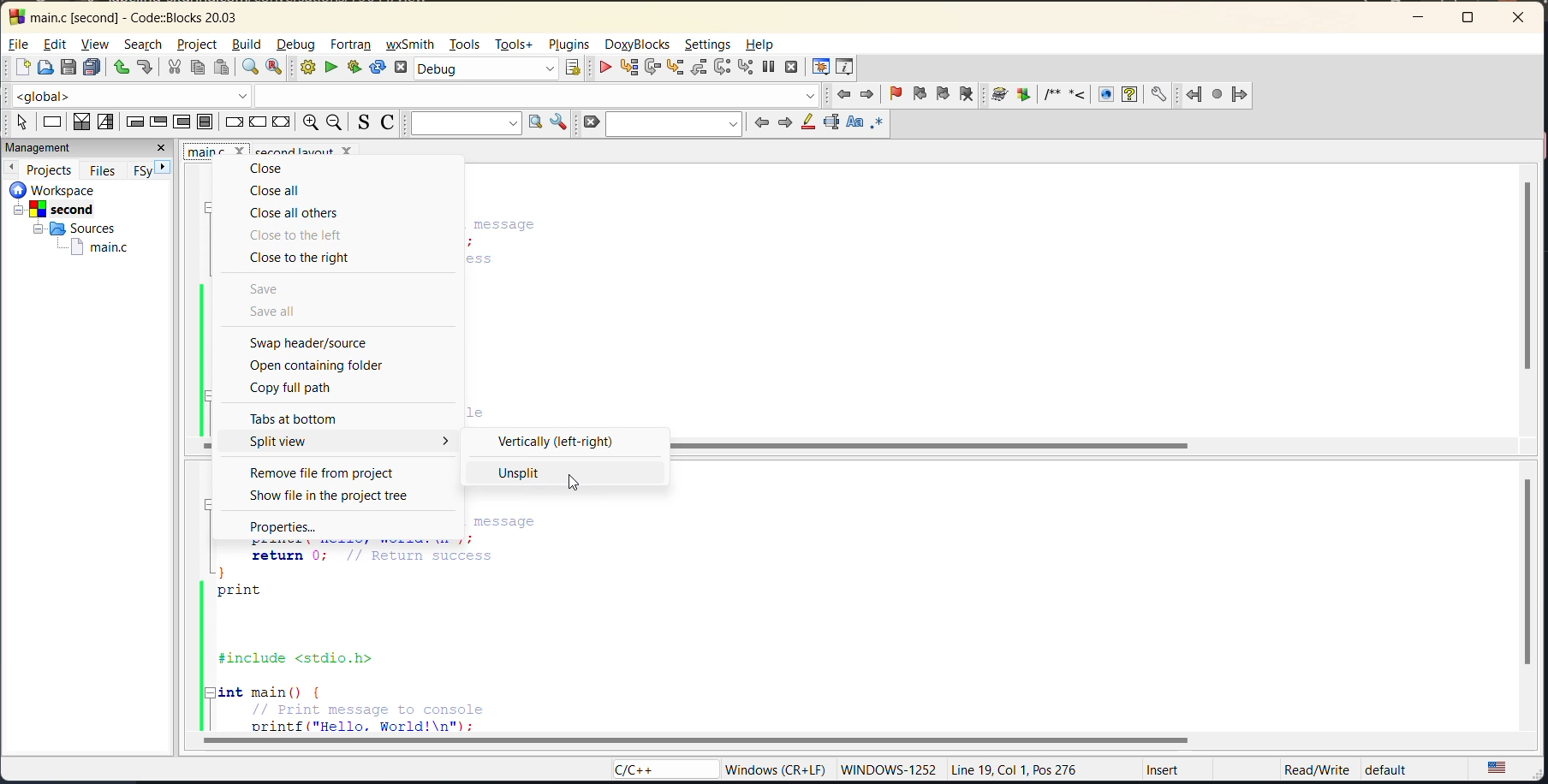  What do you see at coordinates (330, 473) in the screenshot?
I see `remove file from project` at bounding box center [330, 473].